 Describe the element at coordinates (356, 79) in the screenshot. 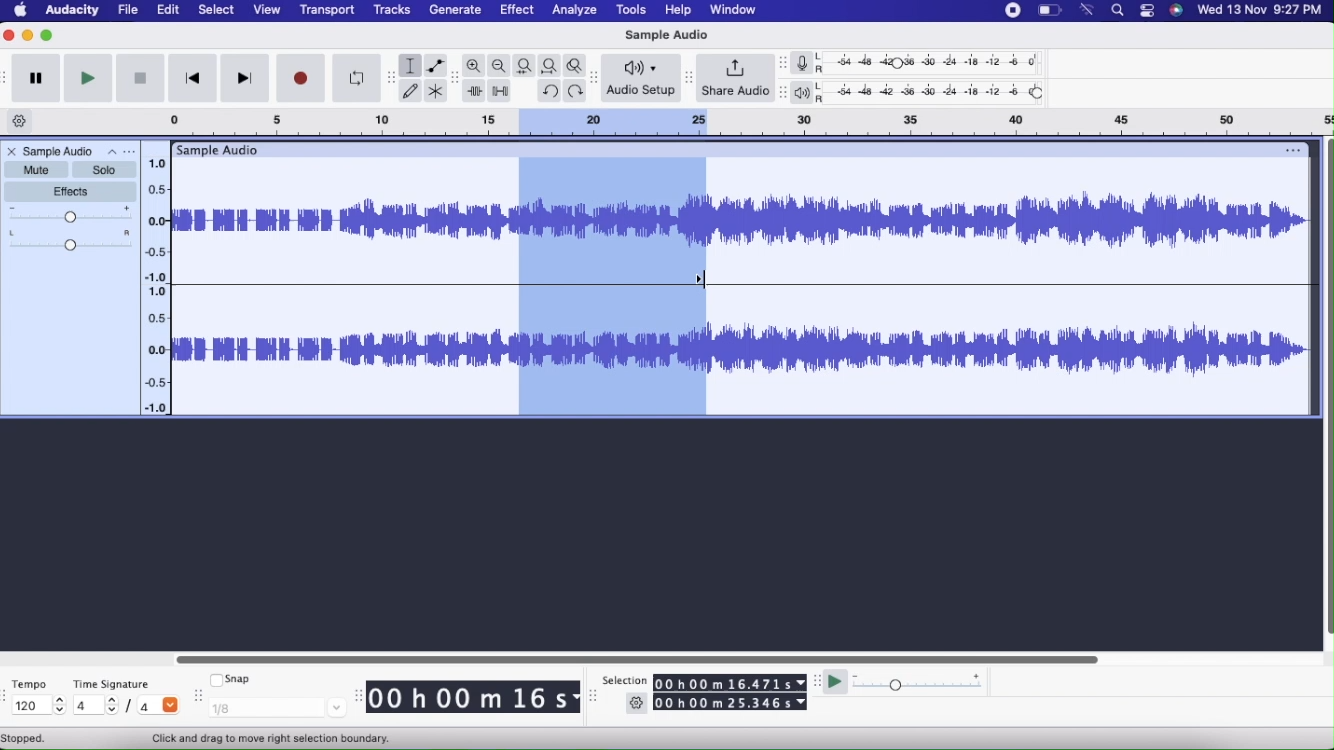

I see `Enable Looping` at that location.